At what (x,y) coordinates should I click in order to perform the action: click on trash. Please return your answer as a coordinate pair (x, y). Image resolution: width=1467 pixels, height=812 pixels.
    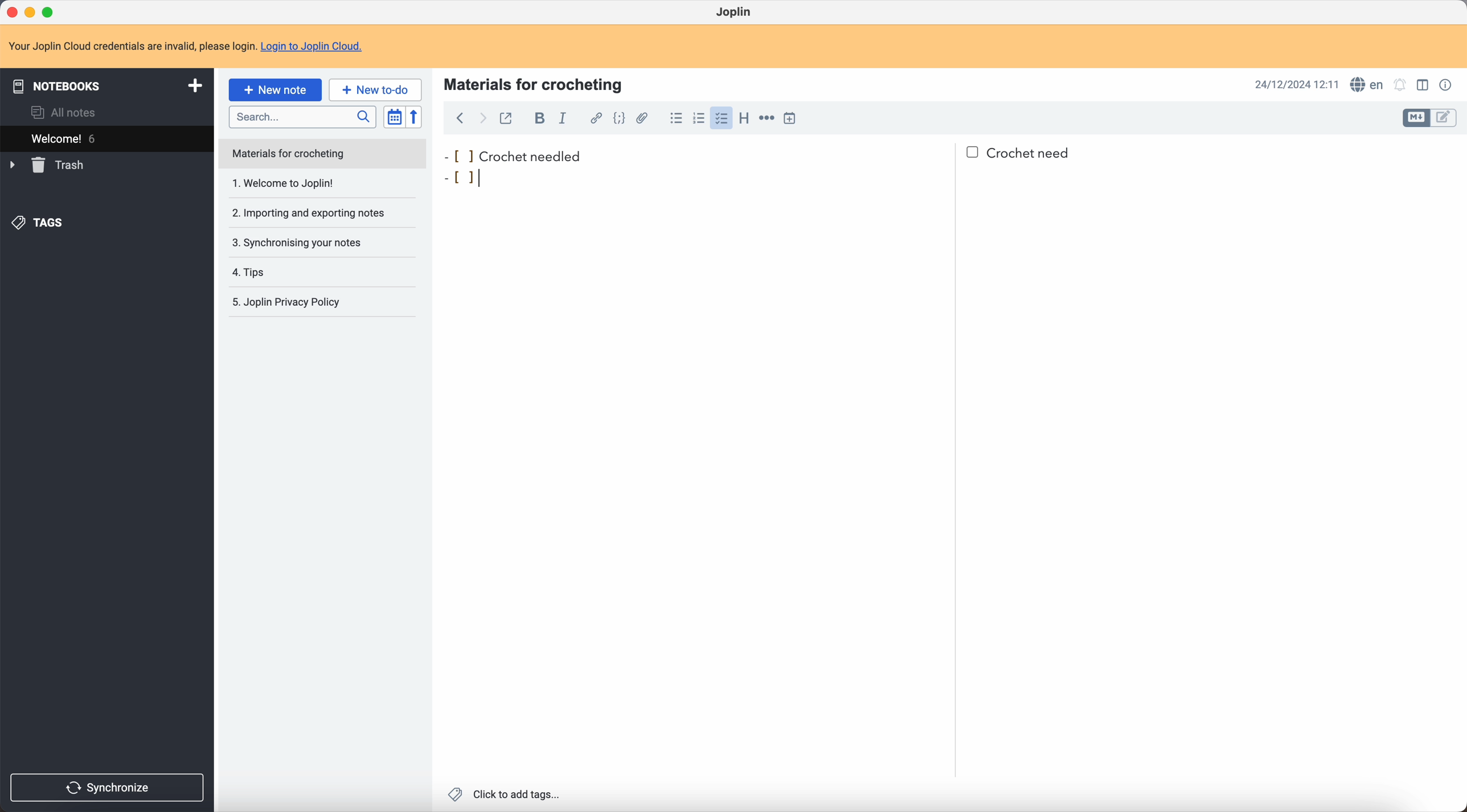
    Looking at the image, I should click on (49, 165).